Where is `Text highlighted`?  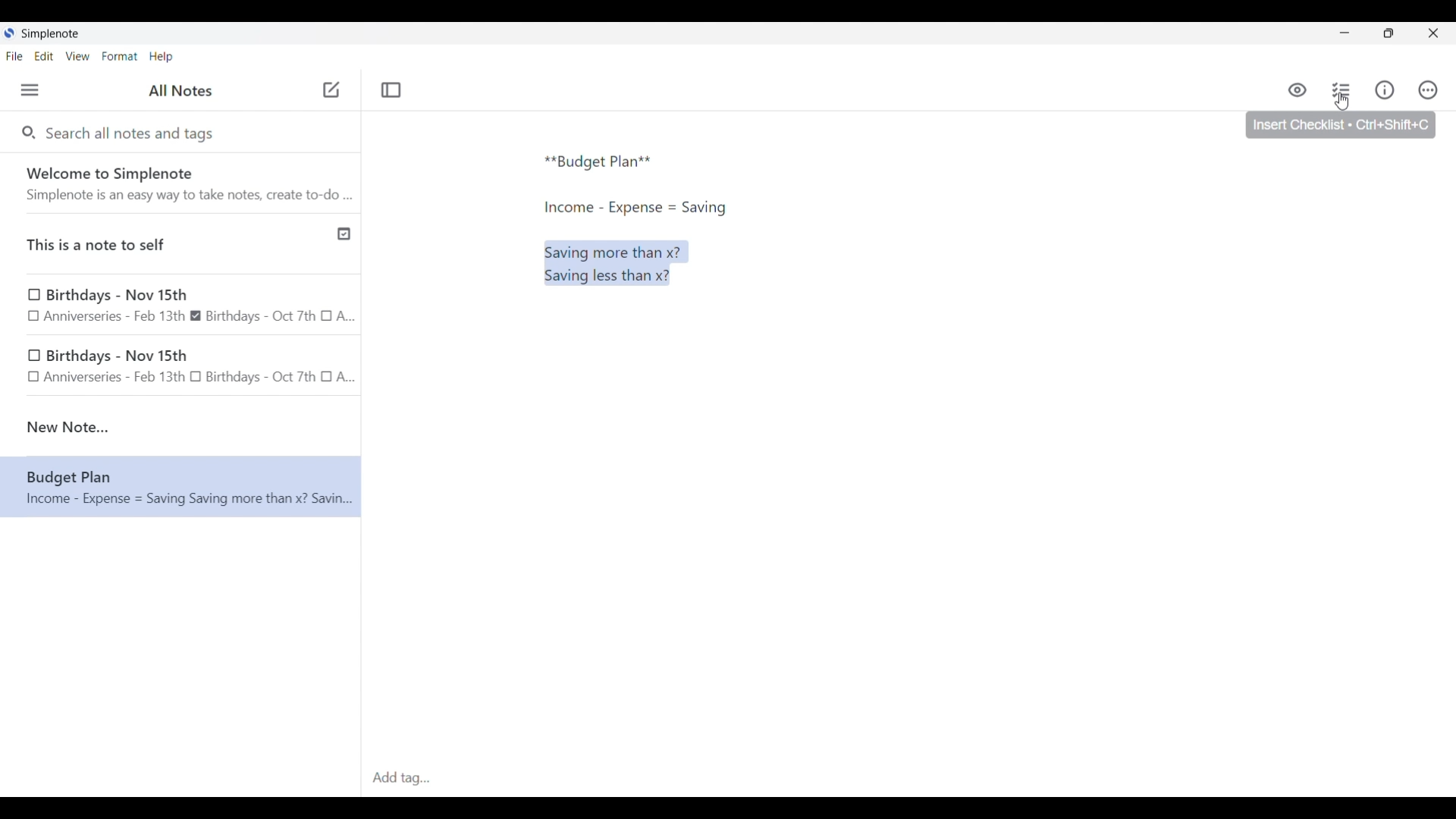 Text highlighted is located at coordinates (623, 262).